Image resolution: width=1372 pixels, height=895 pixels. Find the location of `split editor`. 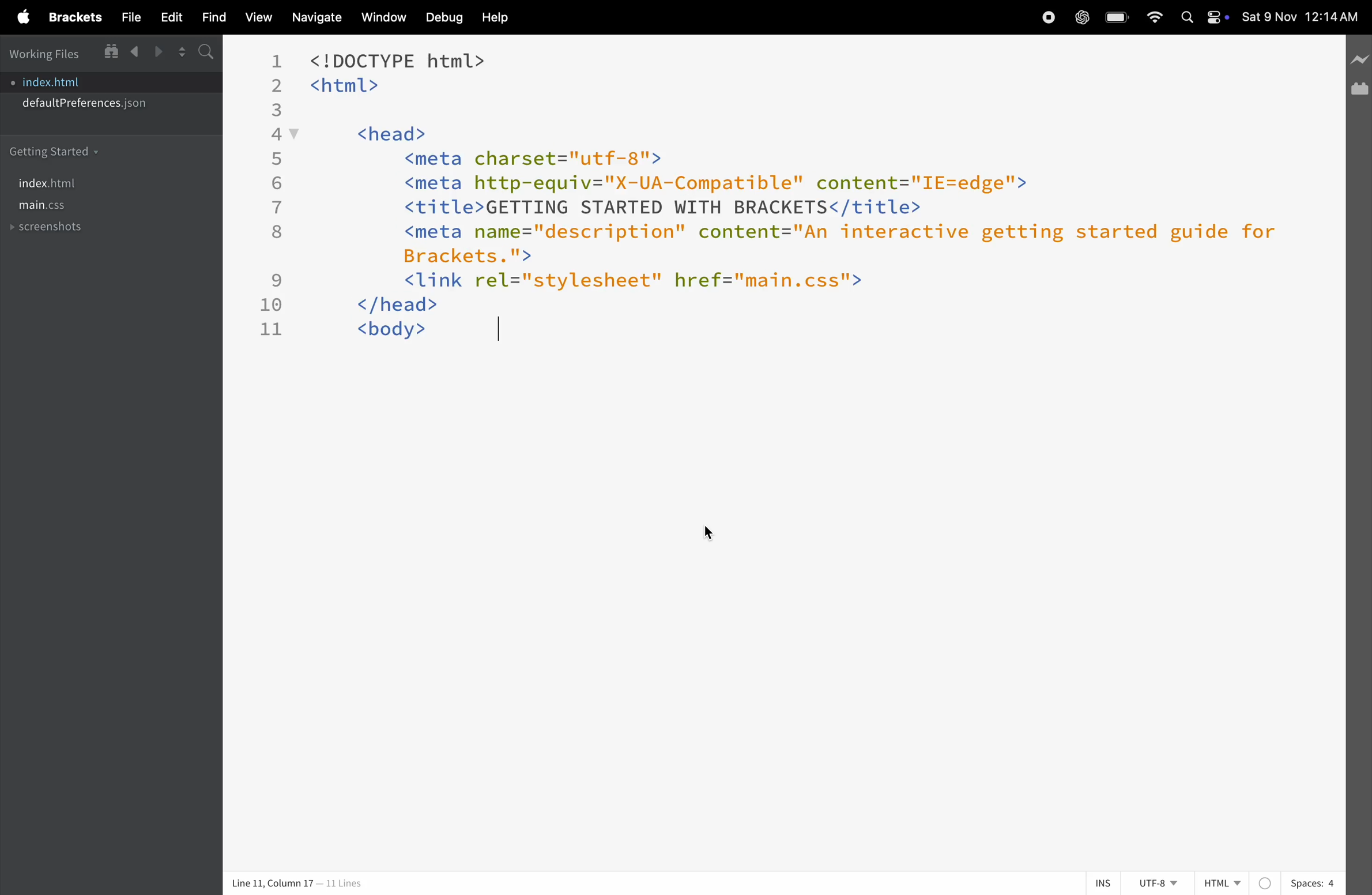

split editor is located at coordinates (184, 53).